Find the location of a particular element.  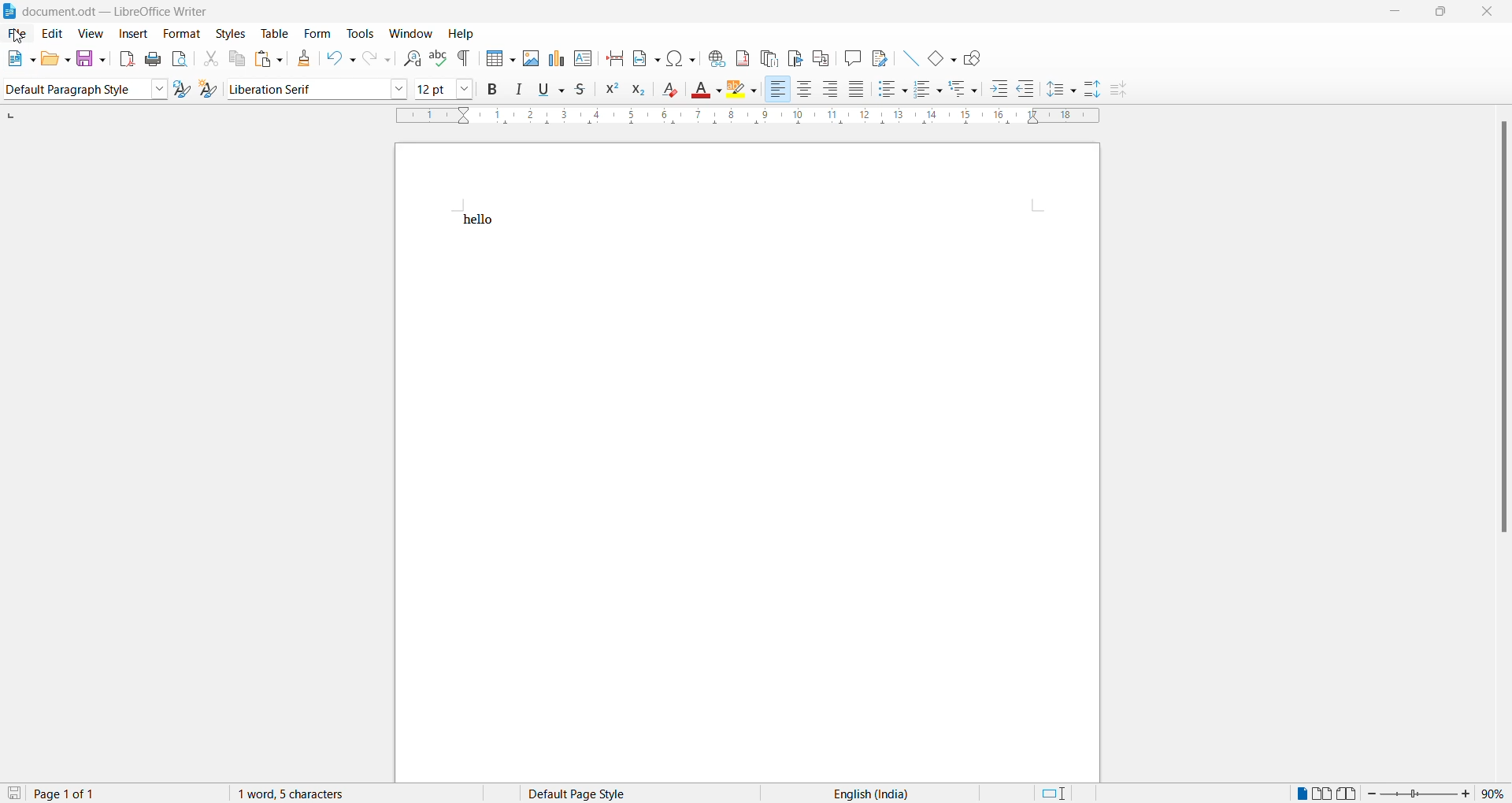

Cut is located at coordinates (206, 59).